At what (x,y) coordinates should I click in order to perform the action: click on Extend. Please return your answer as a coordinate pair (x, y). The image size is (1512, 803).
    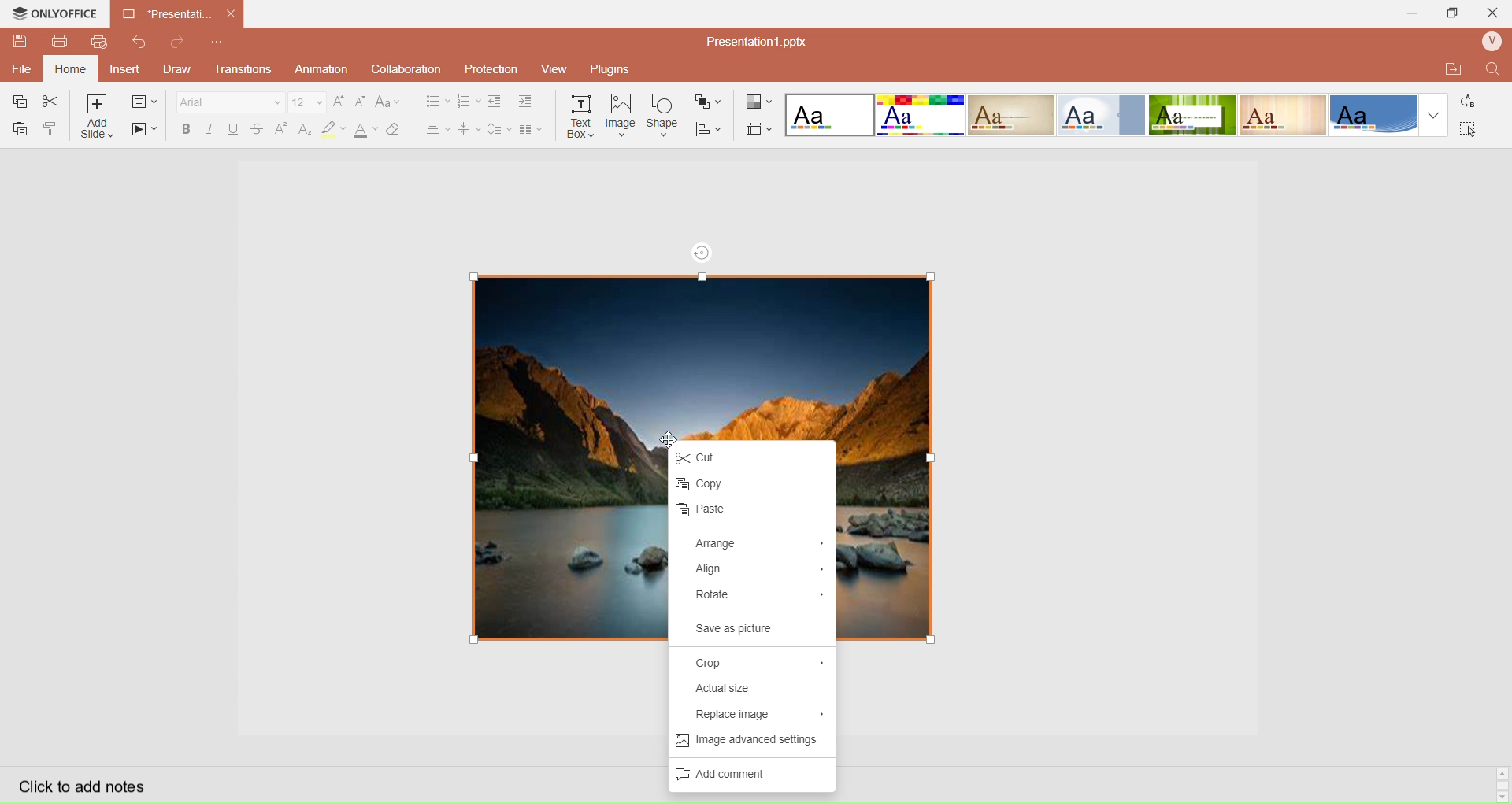
    Looking at the image, I should click on (1460, 12).